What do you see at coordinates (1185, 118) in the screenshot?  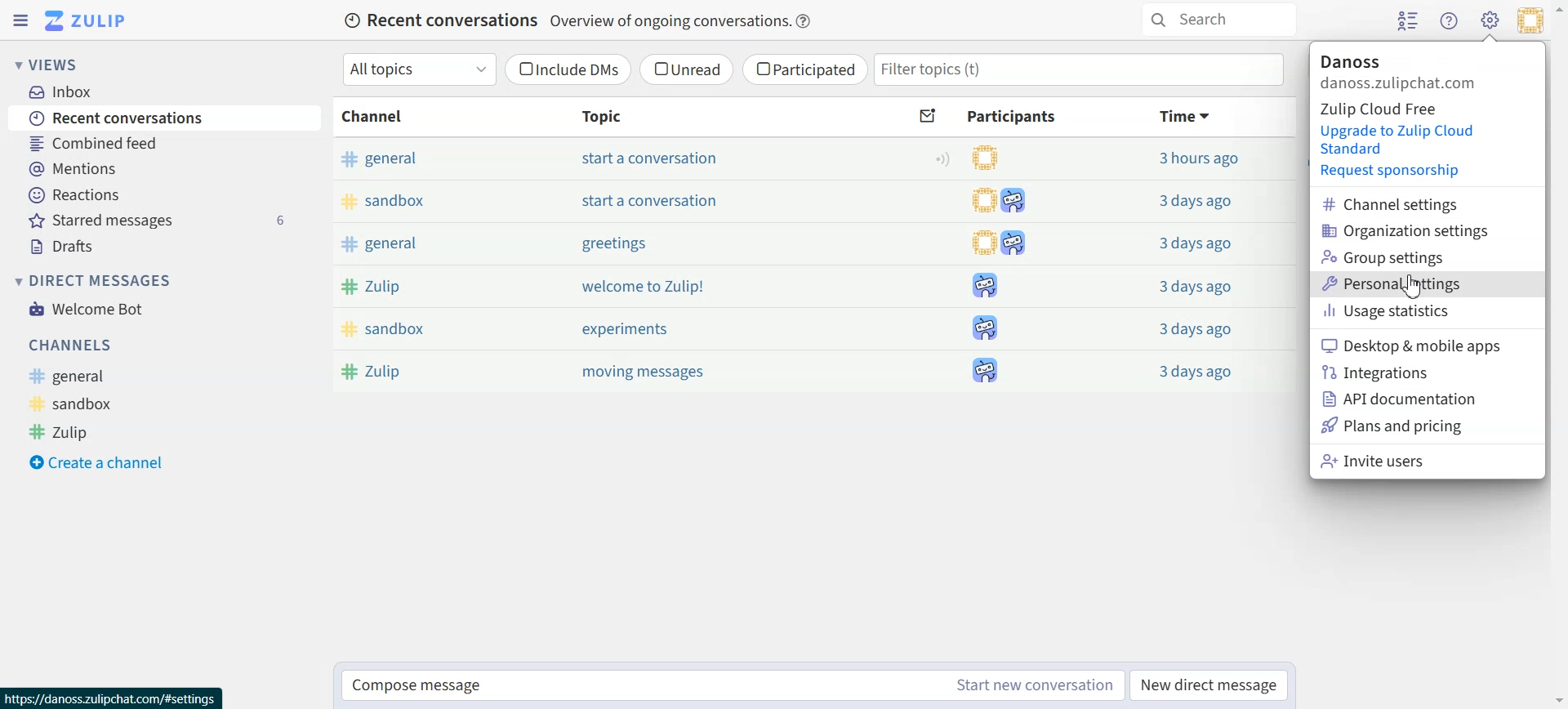 I see `Time` at bounding box center [1185, 118].